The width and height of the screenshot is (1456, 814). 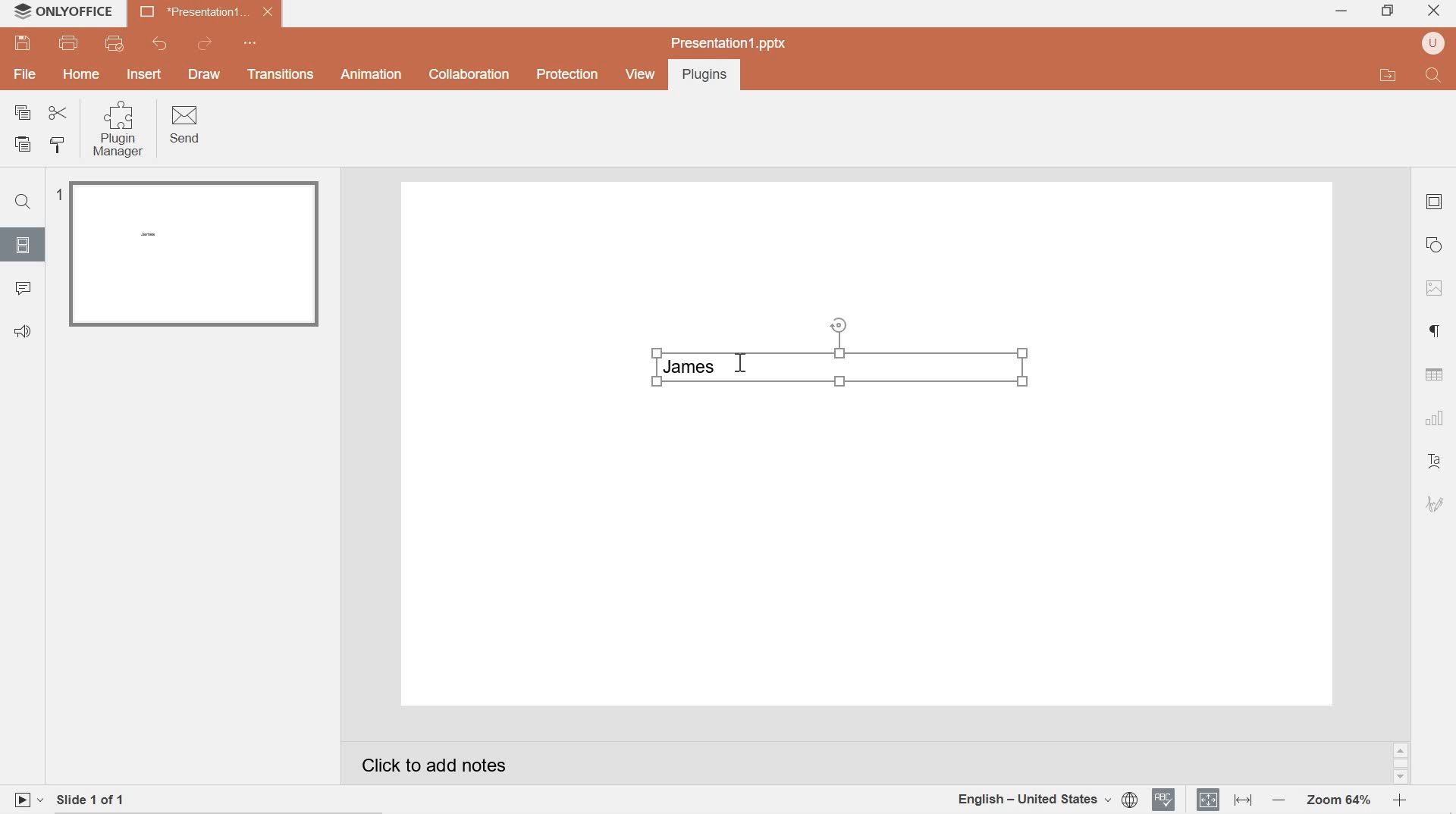 I want to click on collaboration, so click(x=467, y=75).